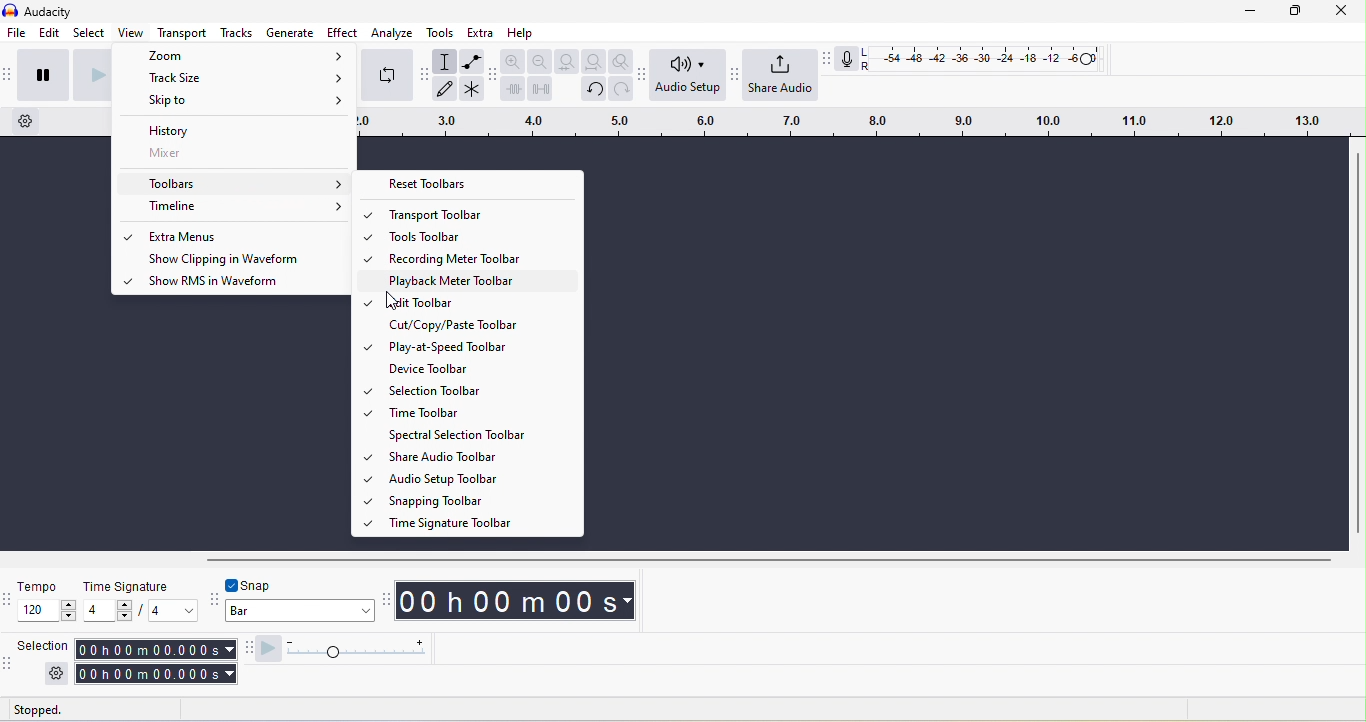 This screenshot has width=1366, height=722. Describe the element at coordinates (468, 184) in the screenshot. I see `Reset toolbar` at that location.